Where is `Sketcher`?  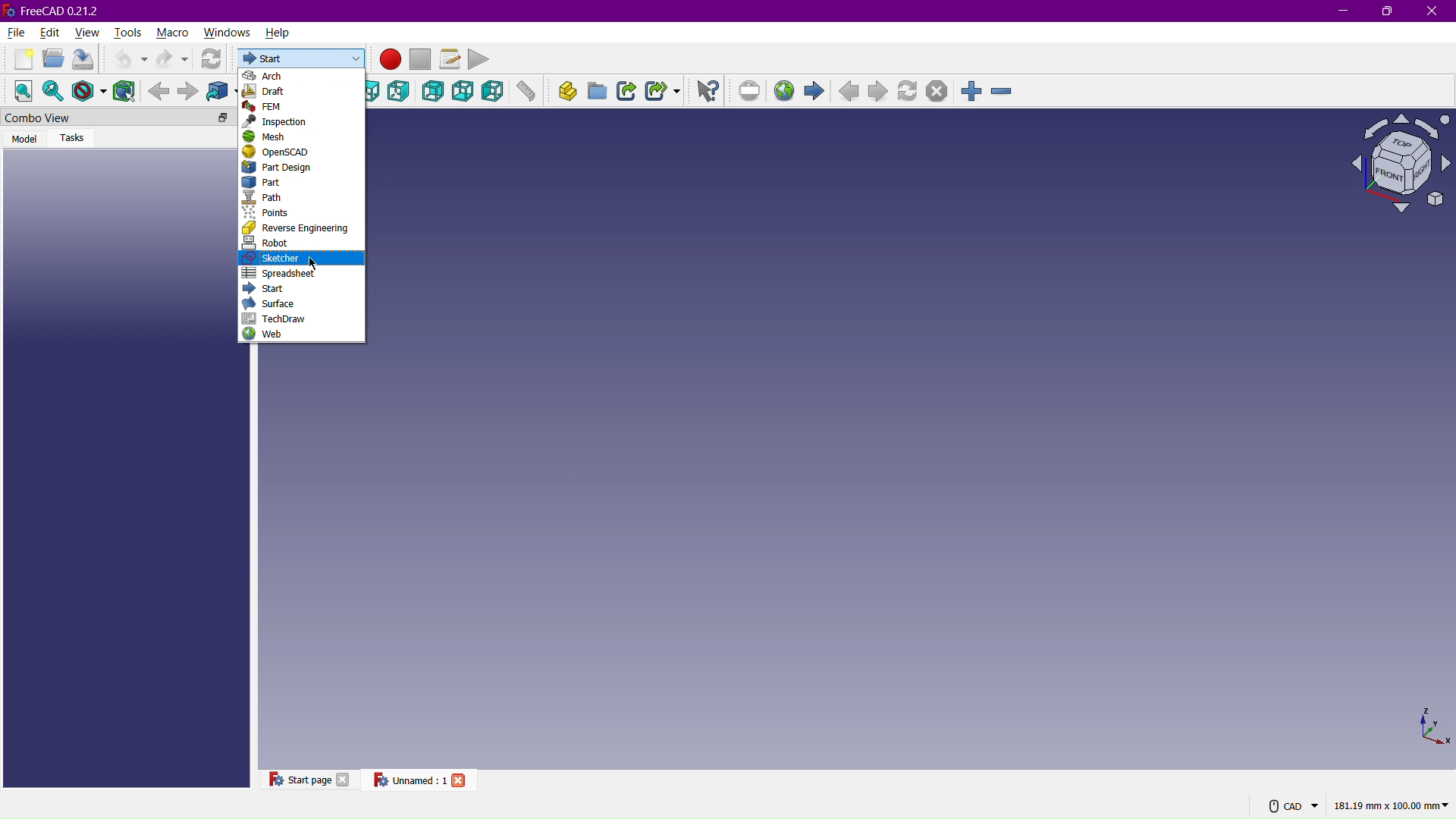 Sketcher is located at coordinates (300, 259).